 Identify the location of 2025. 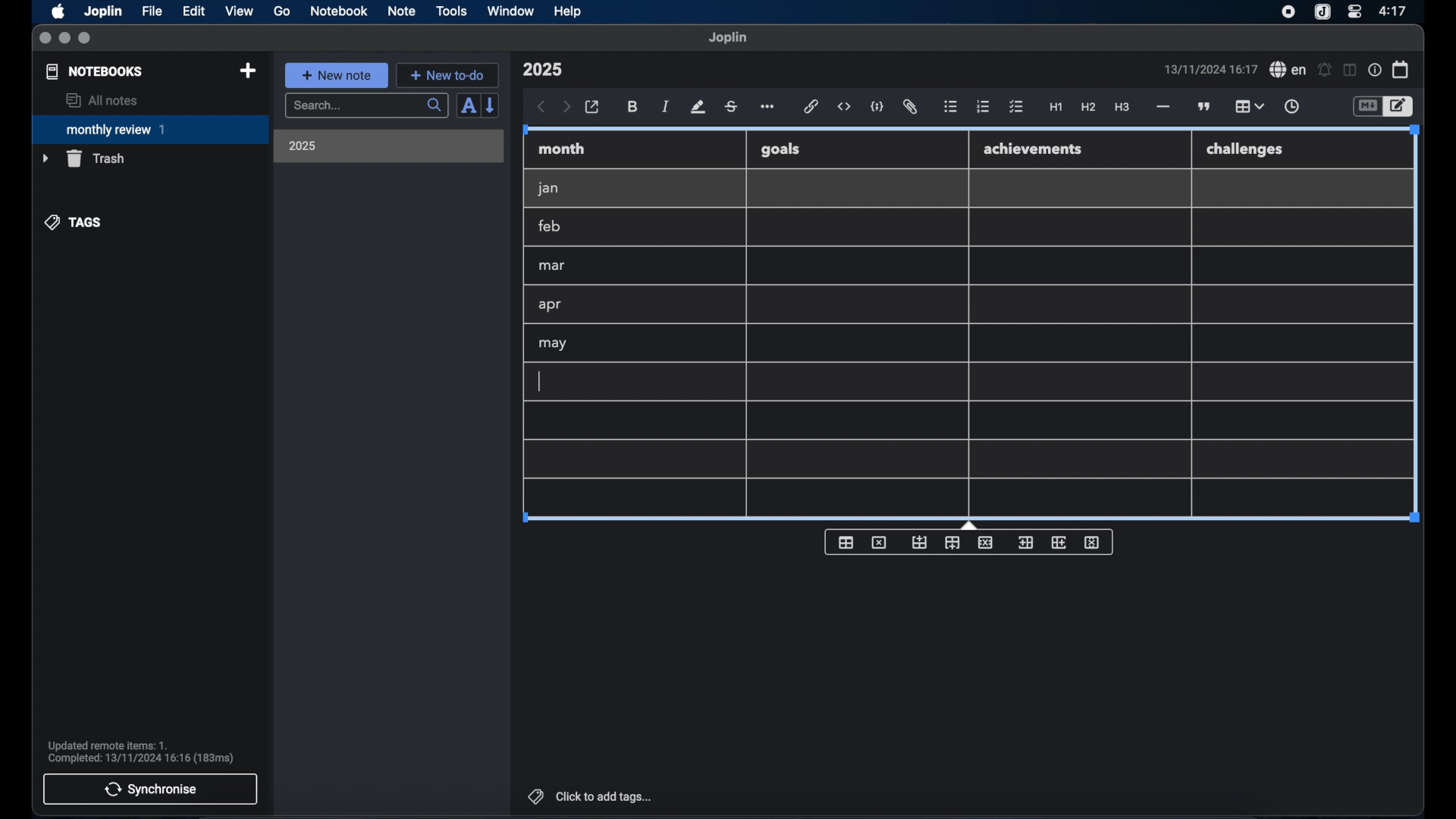
(303, 146).